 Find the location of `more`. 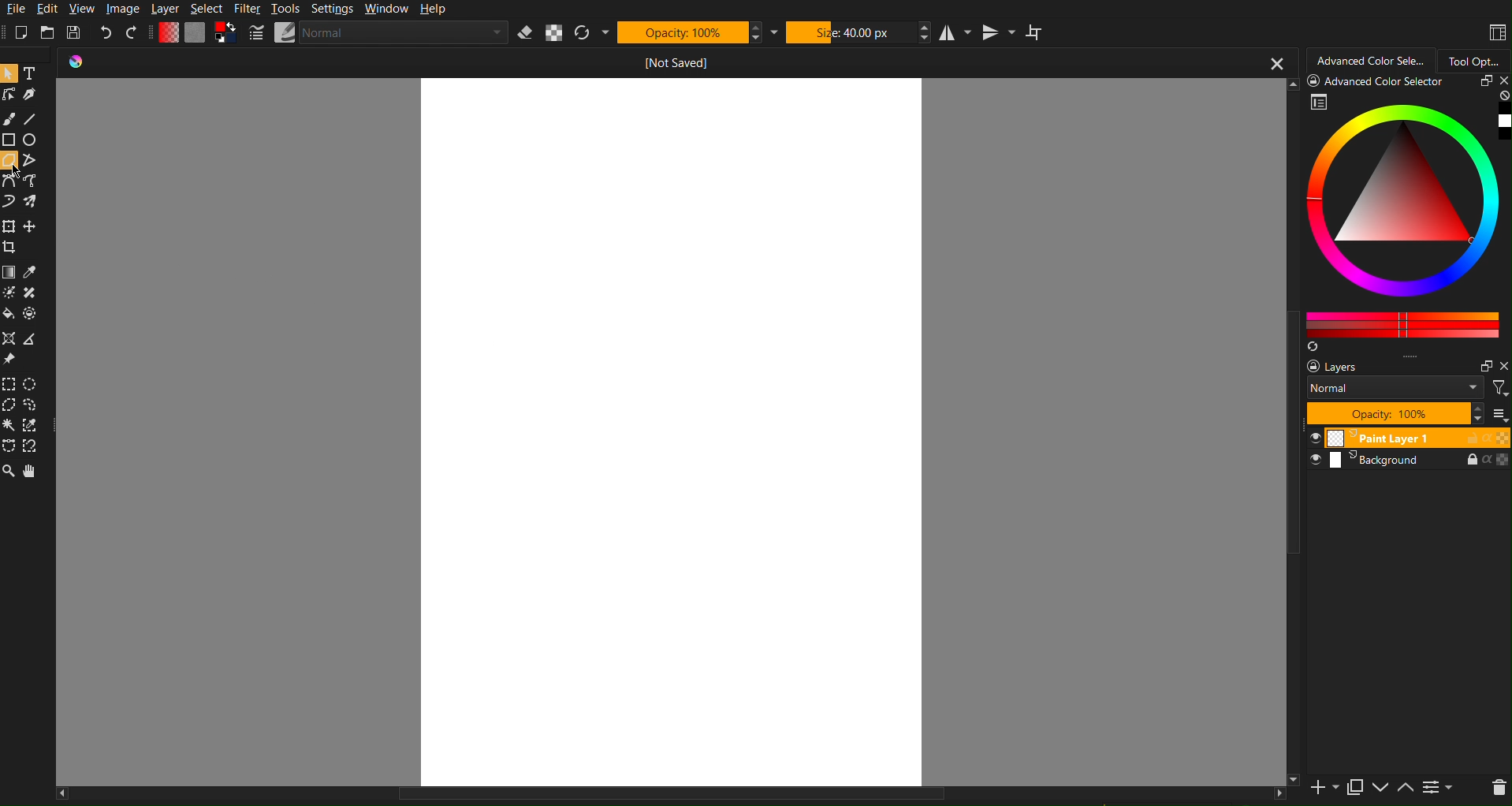

more is located at coordinates (1498, 414).